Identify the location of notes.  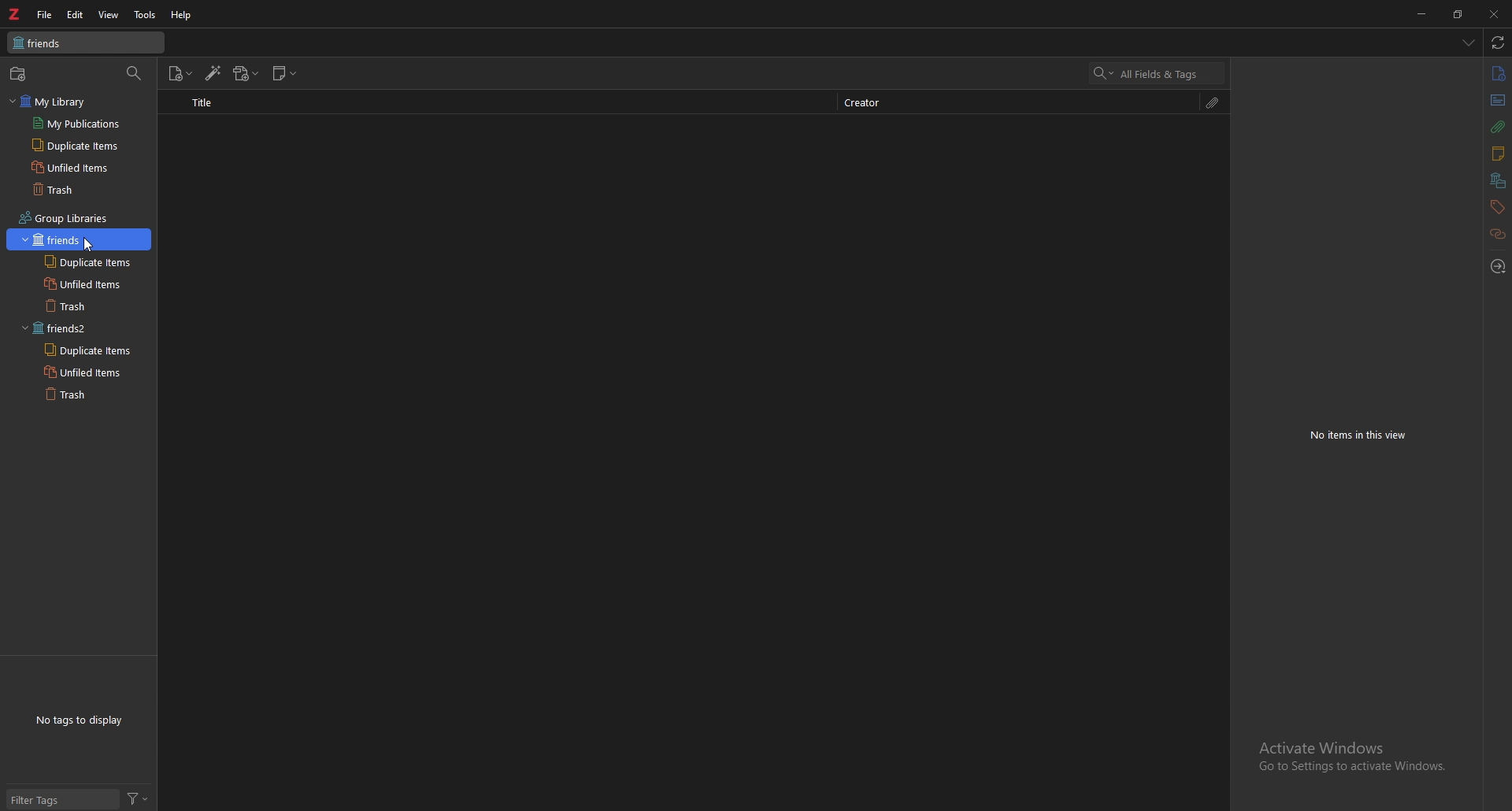
(1498, 155).